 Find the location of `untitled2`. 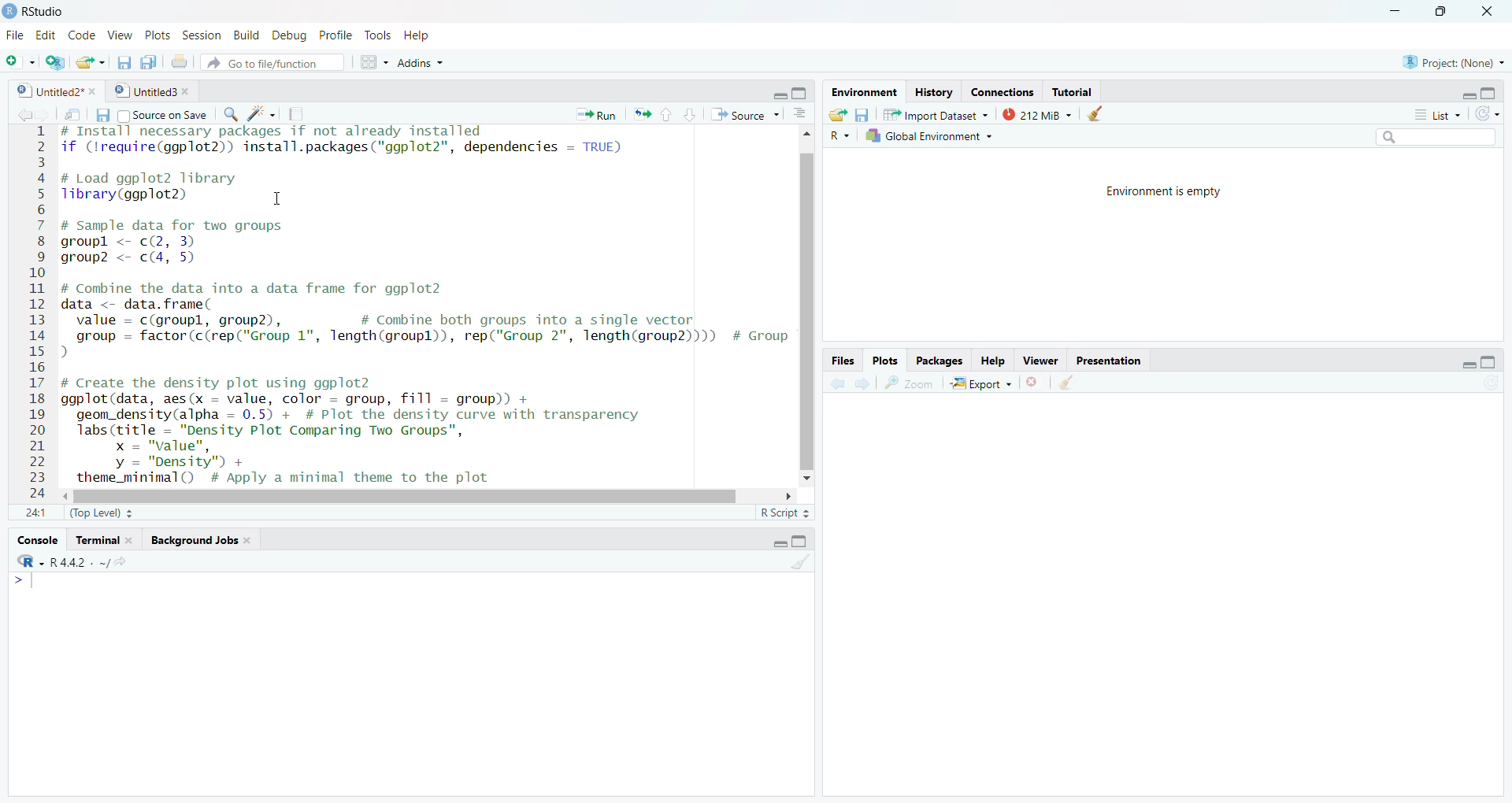

untitled2 is located at coordinates (50, 91).